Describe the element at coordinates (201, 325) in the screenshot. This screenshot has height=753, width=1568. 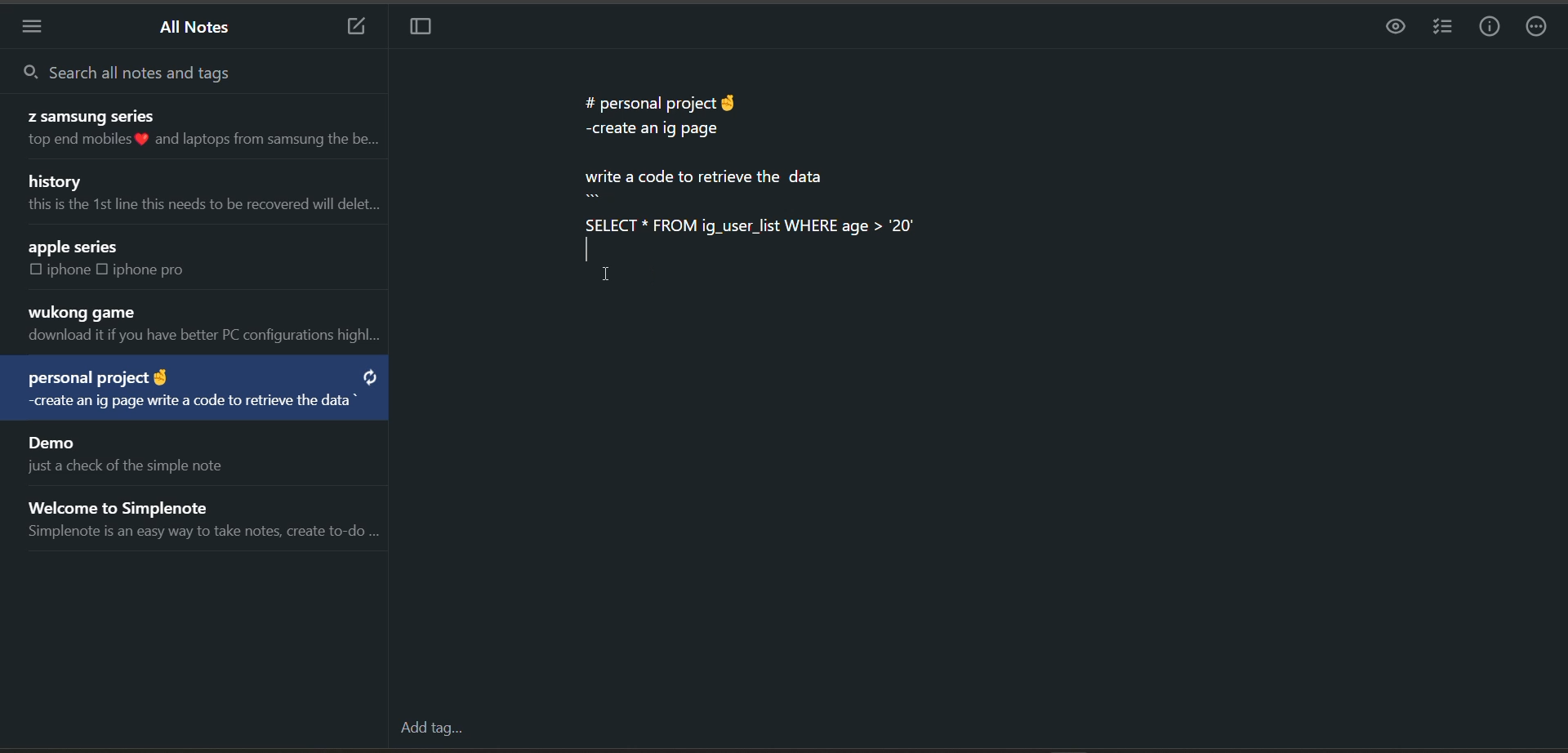
I see `note title  and preview` at that location.